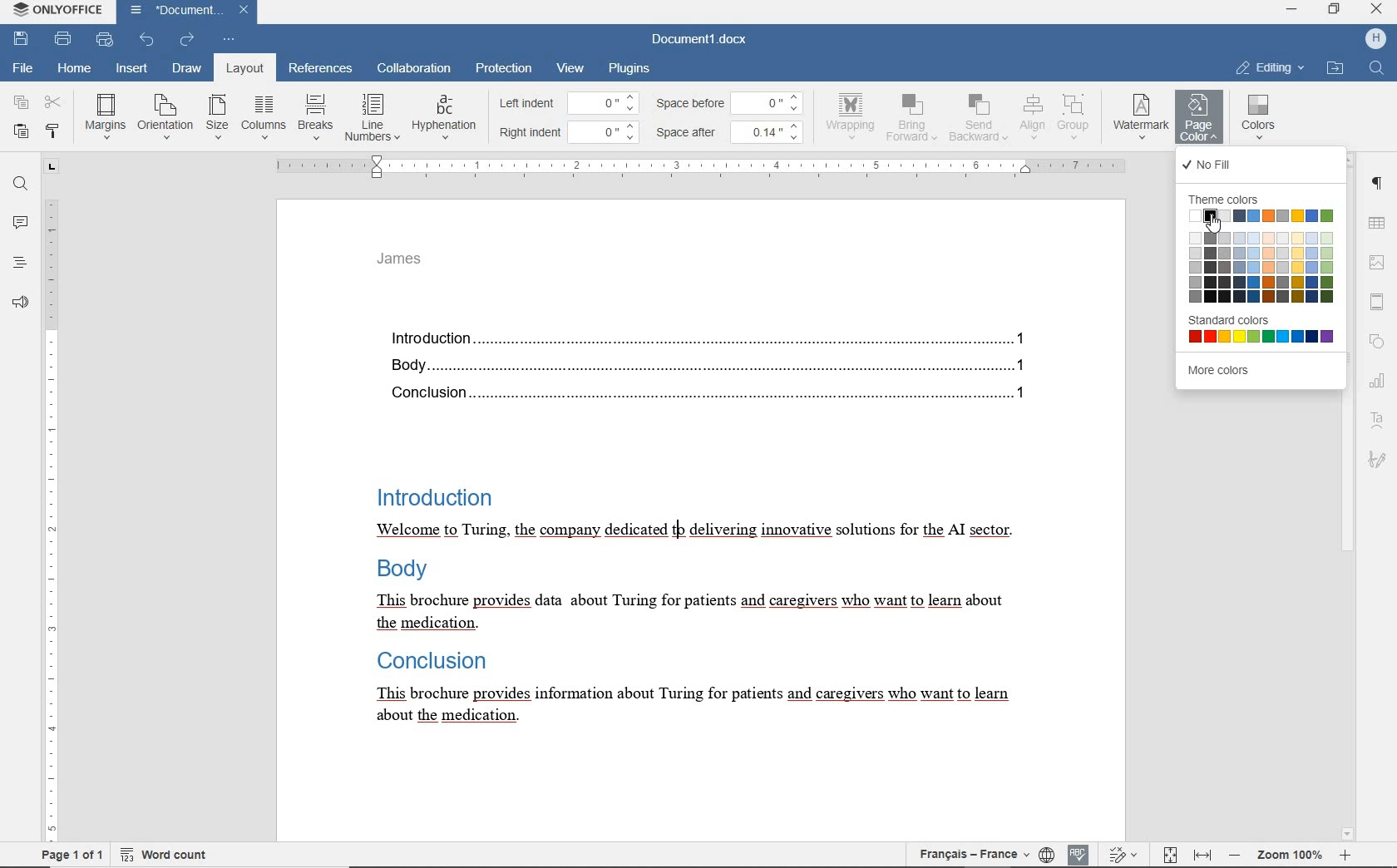  What do you see at coordinates (503, 67) in the screenshot?
I see `protection` at bounding box center [503, 67].